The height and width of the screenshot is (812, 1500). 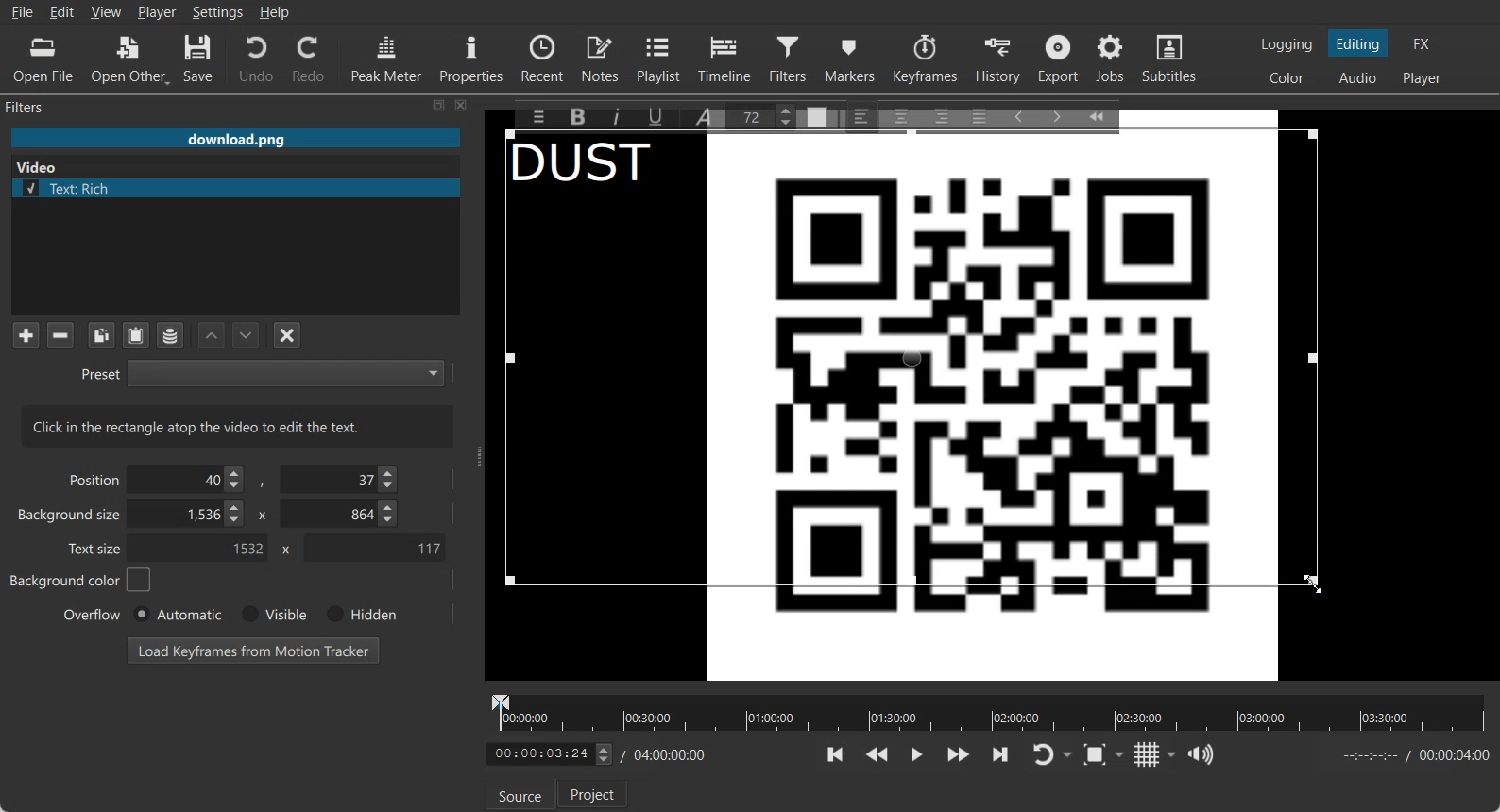 What do you see at coordinates (212, 336) in the screenshot?
I see `Move Filter up` at bounding box center [212, 336].